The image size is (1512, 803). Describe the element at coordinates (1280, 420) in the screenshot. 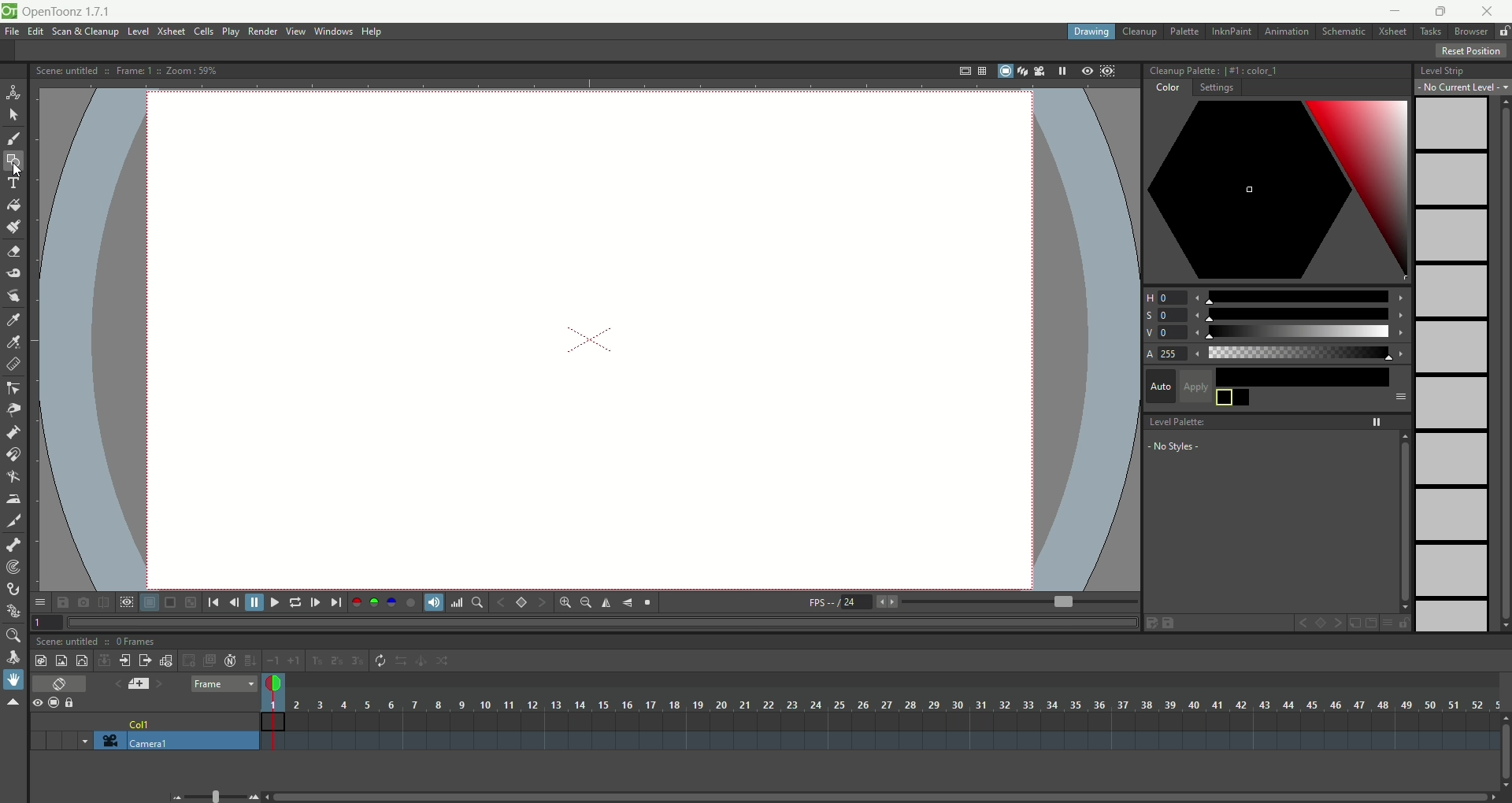

I see `level palette` at that location.